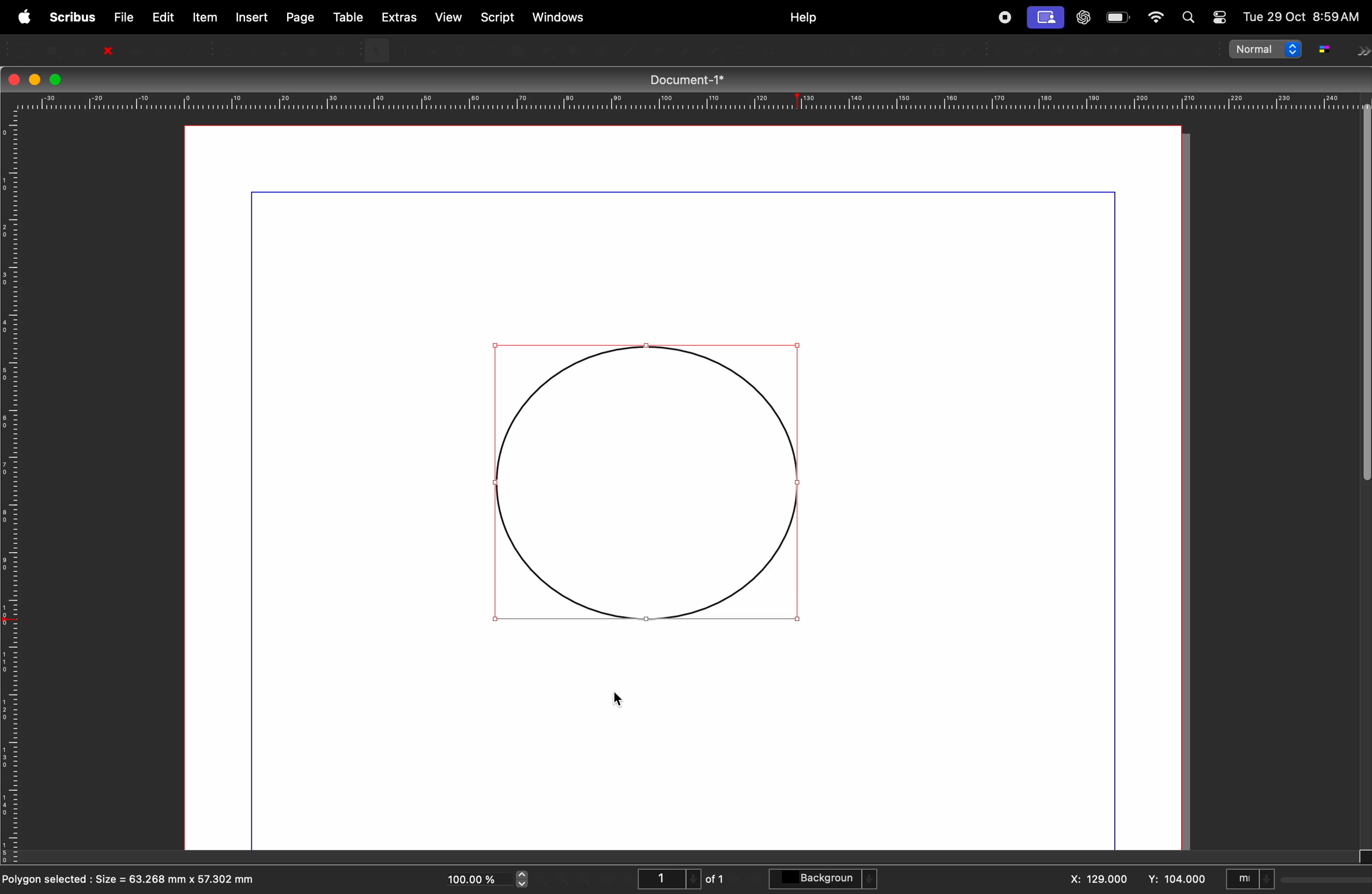  Describe the element at coordinates (621, 700) in the screenshot. I see `cursor` at that location.